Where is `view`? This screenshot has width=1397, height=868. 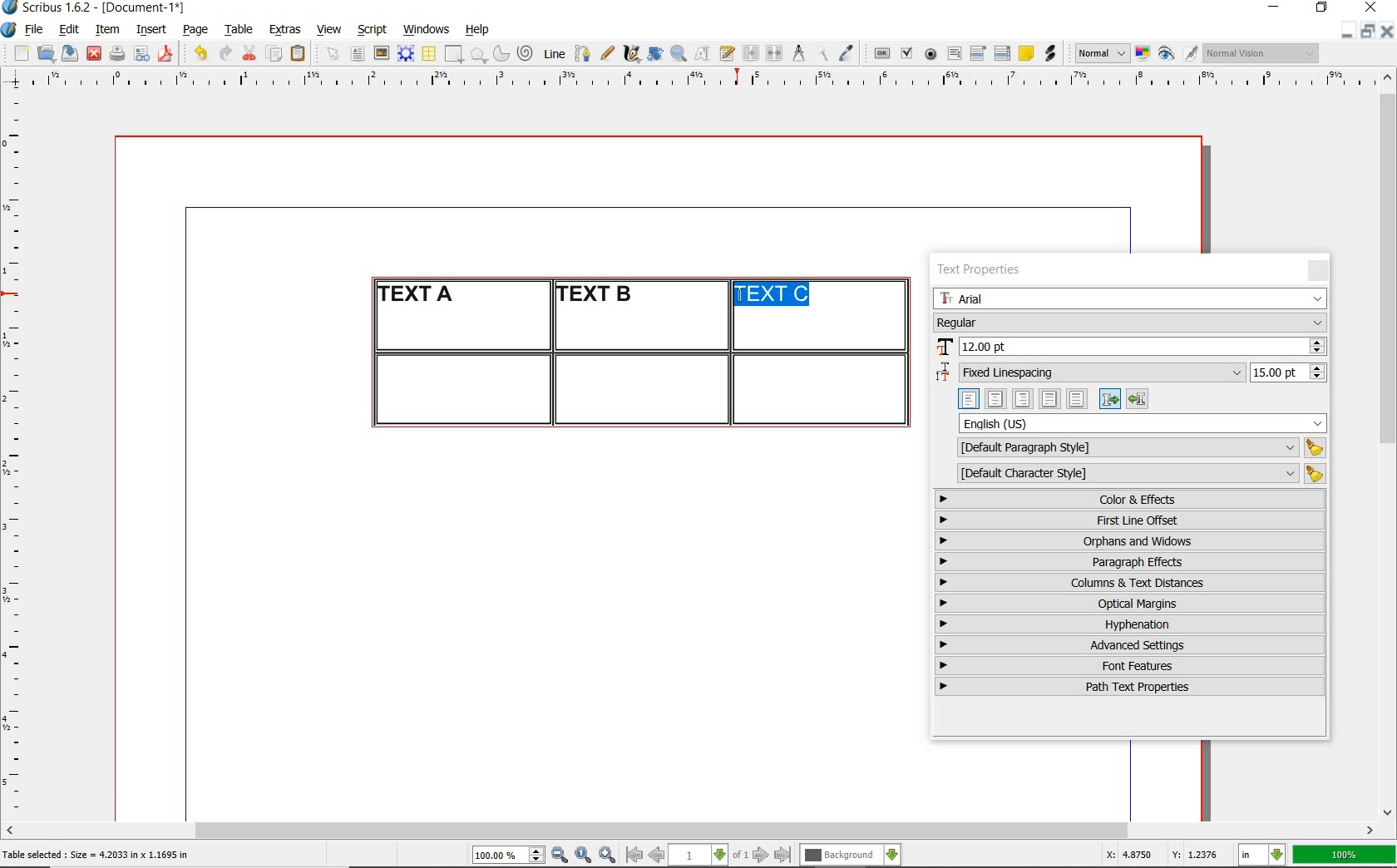
view is located at coordinates (329, 29).